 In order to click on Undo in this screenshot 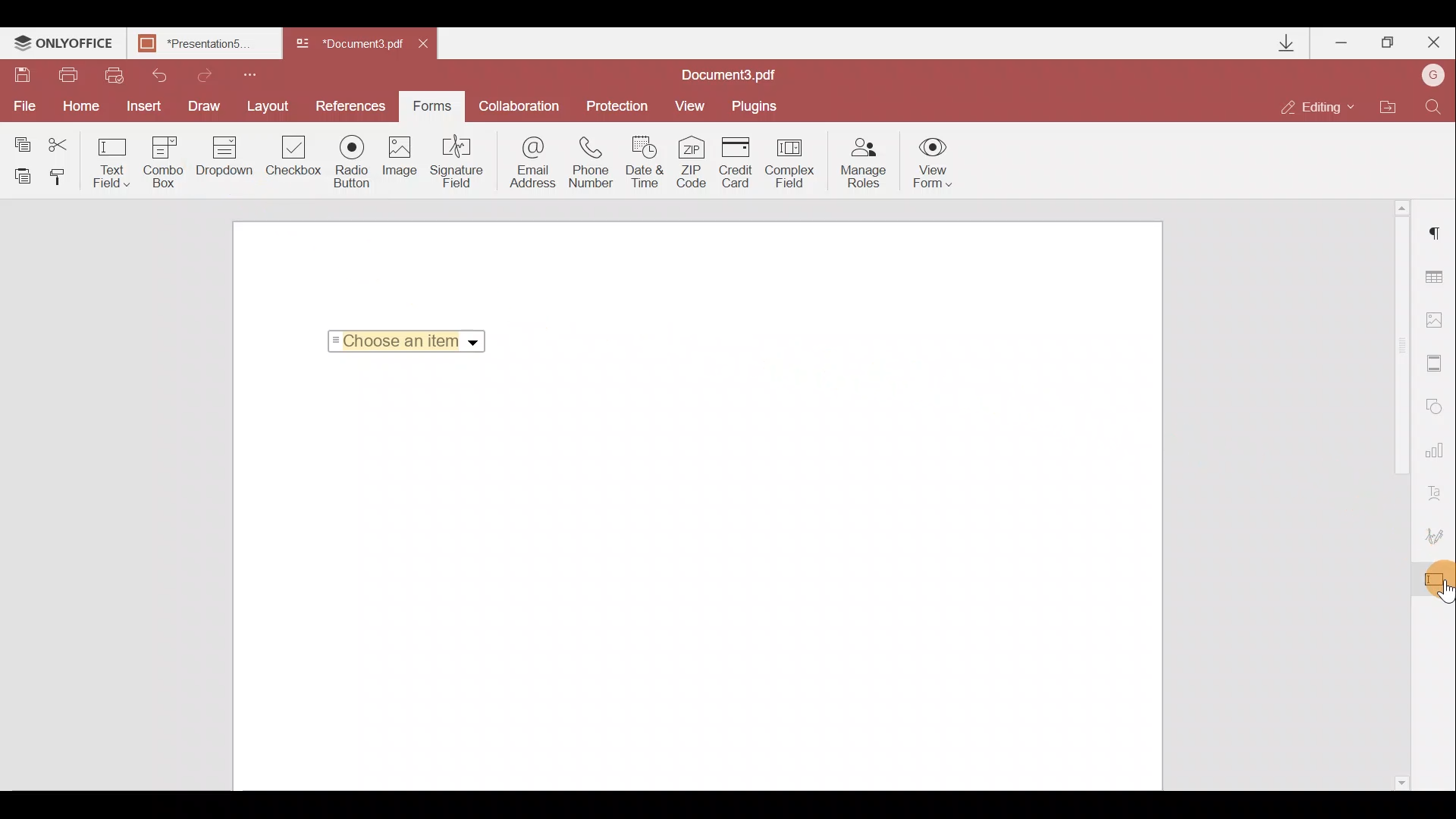, I will do `click(158, 76)`.